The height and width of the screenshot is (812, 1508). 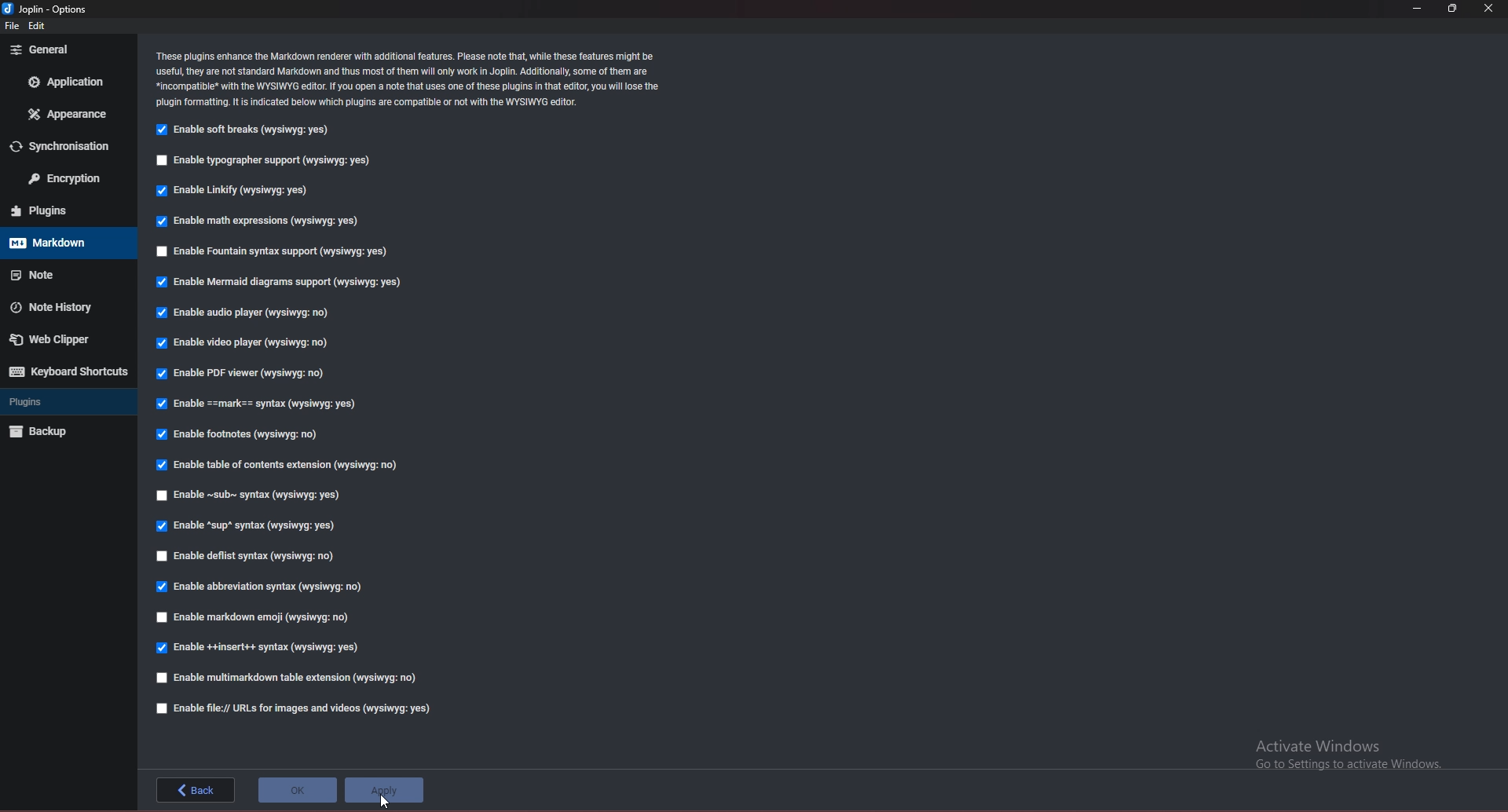 I want to click on enable table of contents, so click(x=281, y=464).